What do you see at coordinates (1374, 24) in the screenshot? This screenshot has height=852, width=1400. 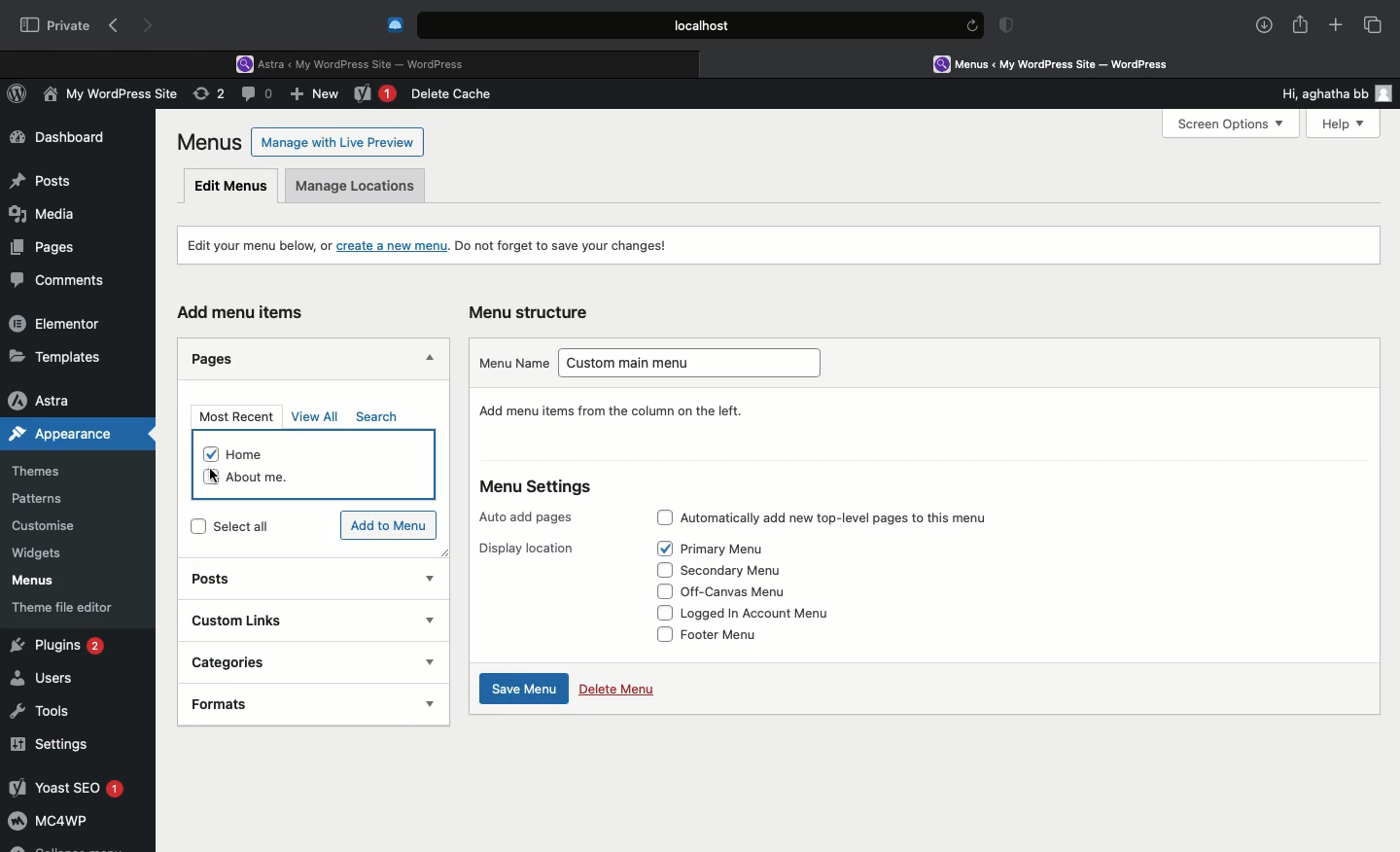 I see `Tabs` at bounding box center [1374, 24].